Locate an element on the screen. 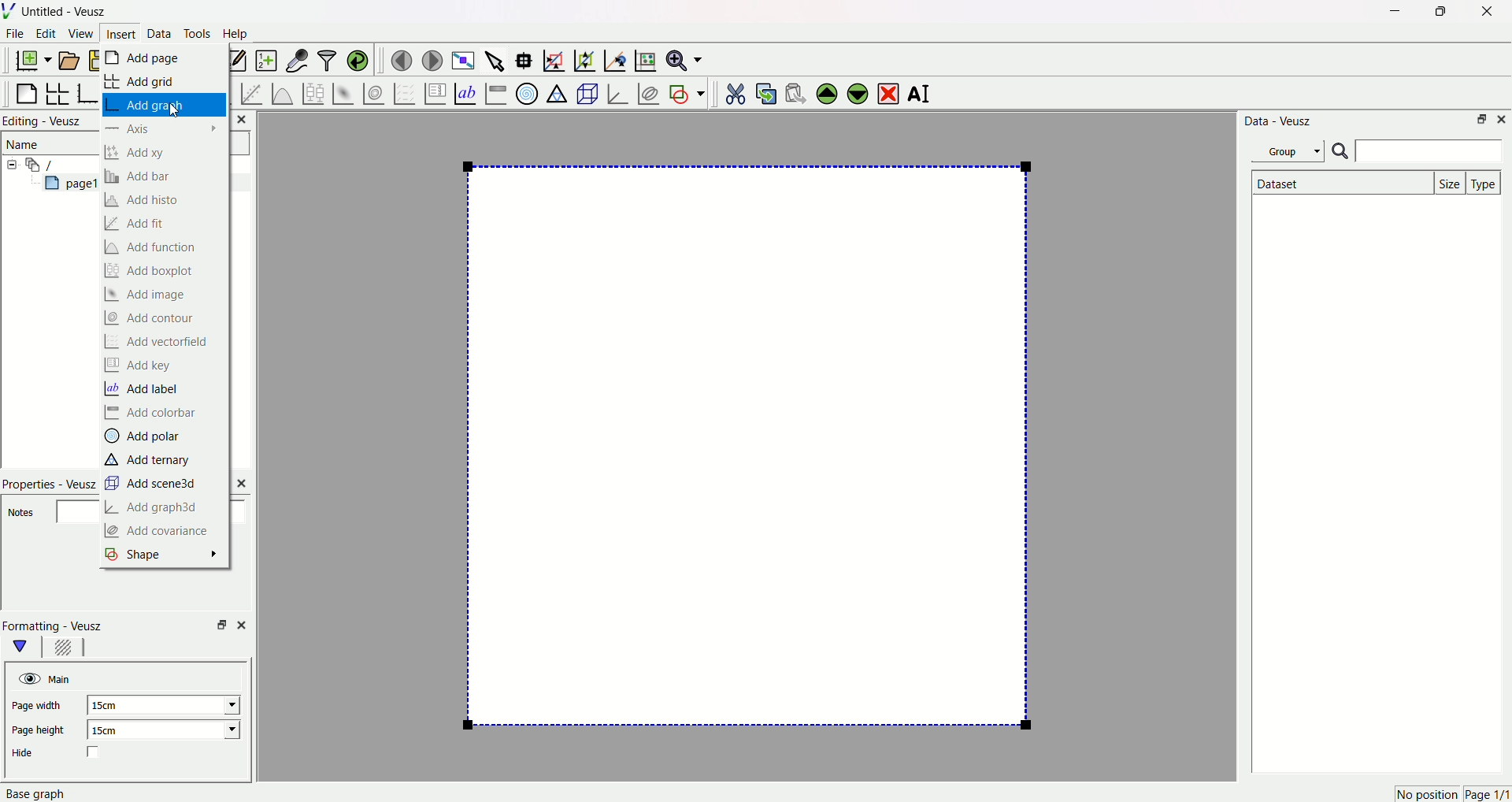  Close is located at coordinates (1481, 13).